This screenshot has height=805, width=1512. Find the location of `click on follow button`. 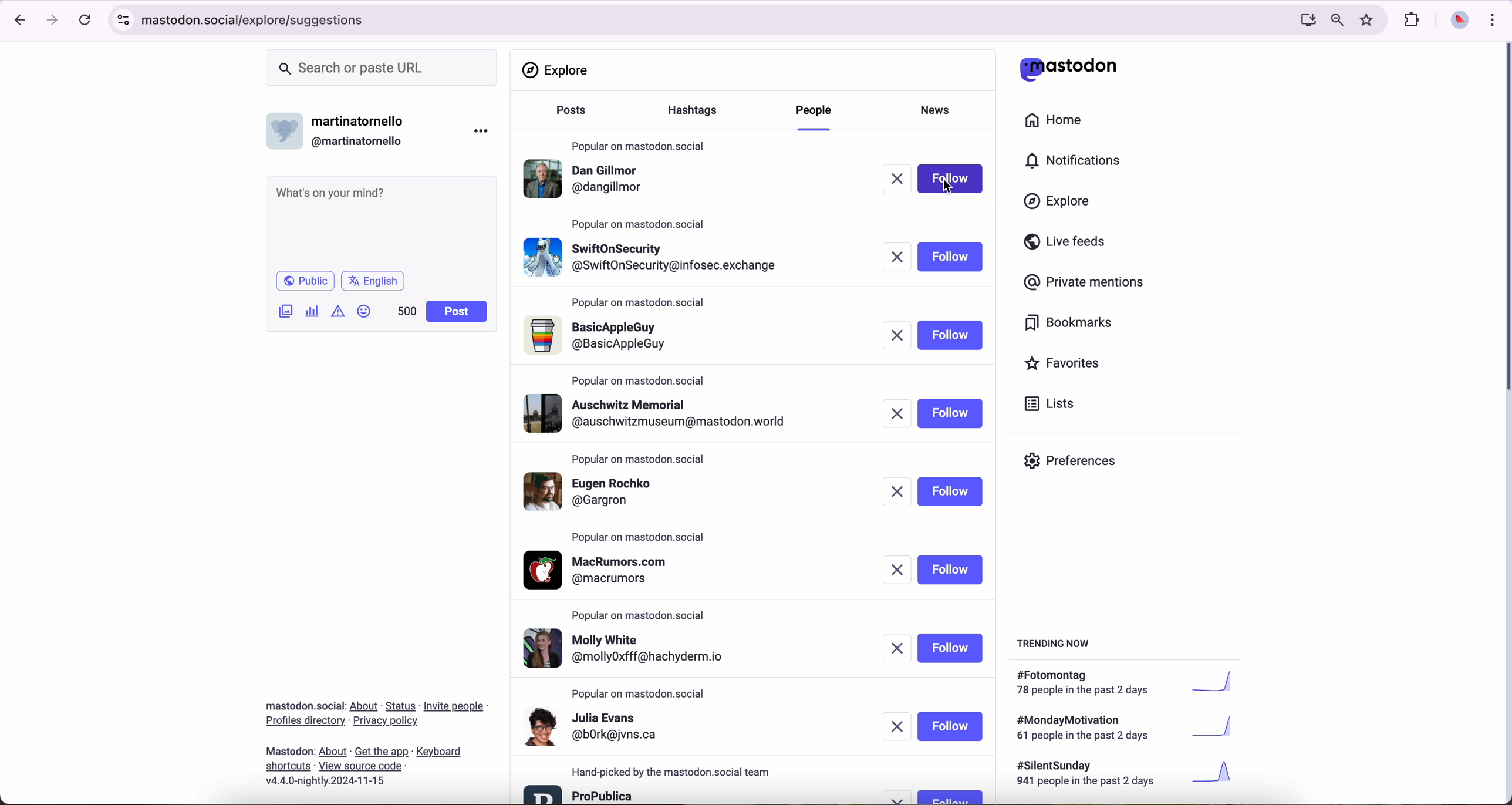

click on follow button is located at coordinates (953, 178).